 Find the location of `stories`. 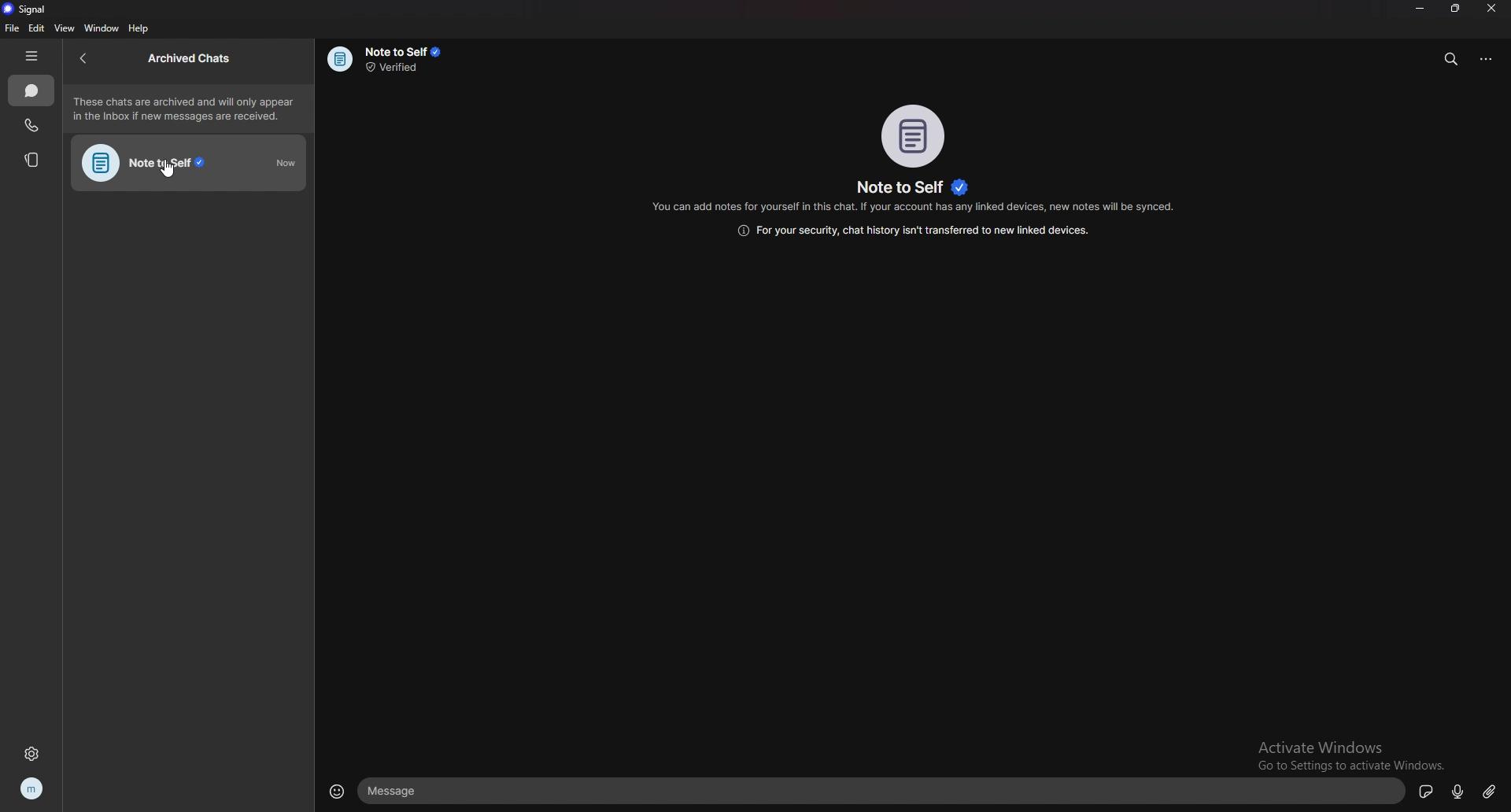

stories is located at coordinates (31, 159).